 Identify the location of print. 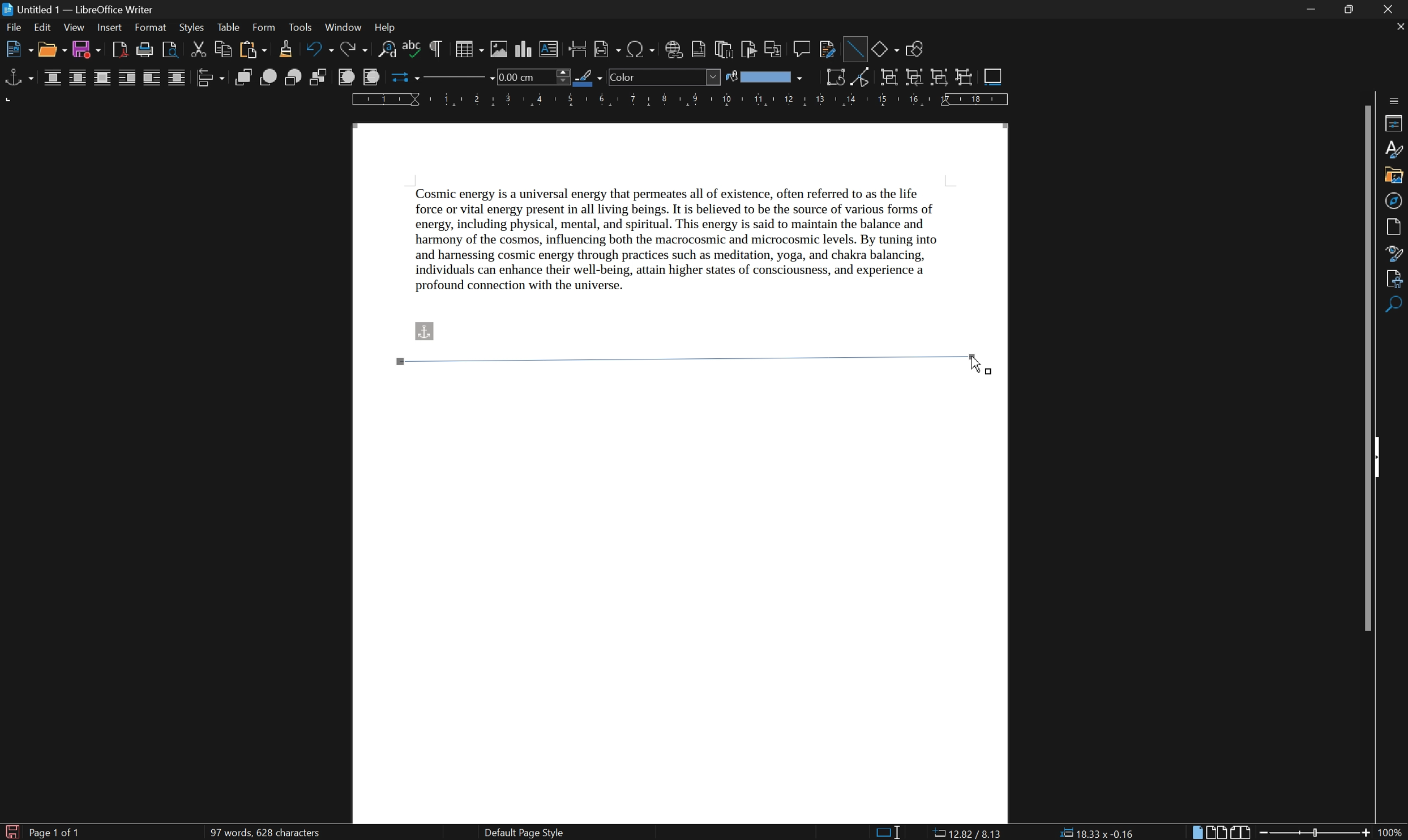
(144, 50).